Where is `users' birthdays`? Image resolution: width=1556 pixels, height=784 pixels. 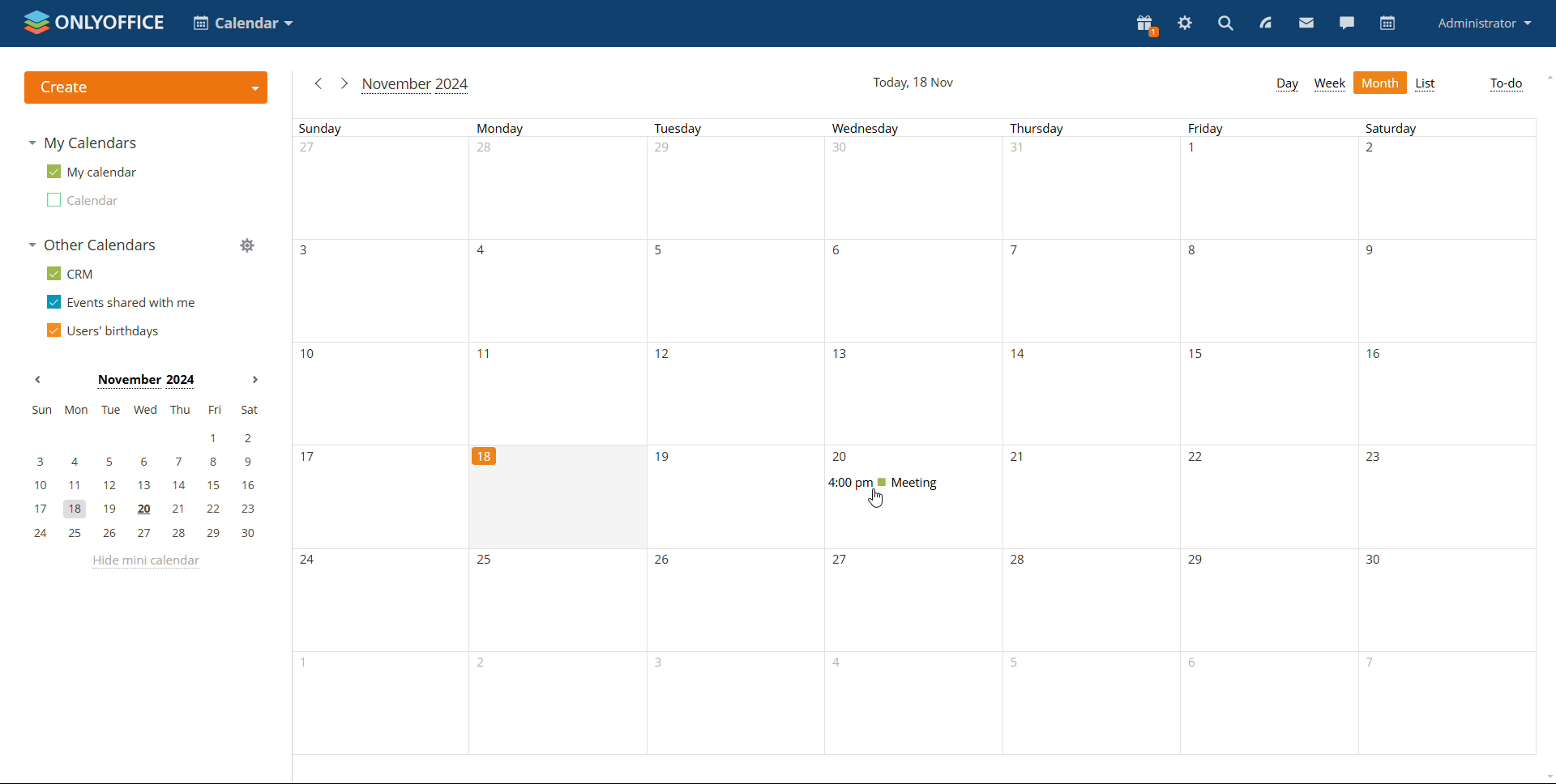
users' birthdays is located at coordinates (103, 330).